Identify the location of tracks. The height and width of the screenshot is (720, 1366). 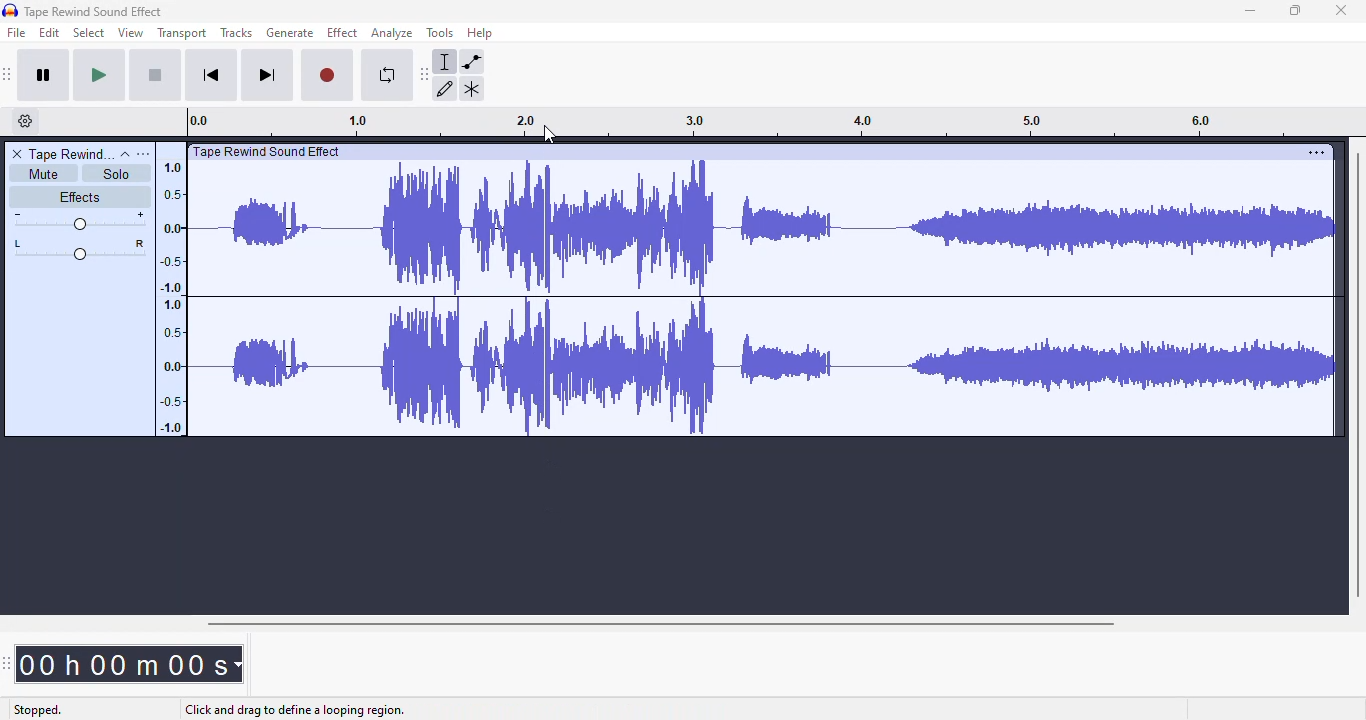
(237, 33).